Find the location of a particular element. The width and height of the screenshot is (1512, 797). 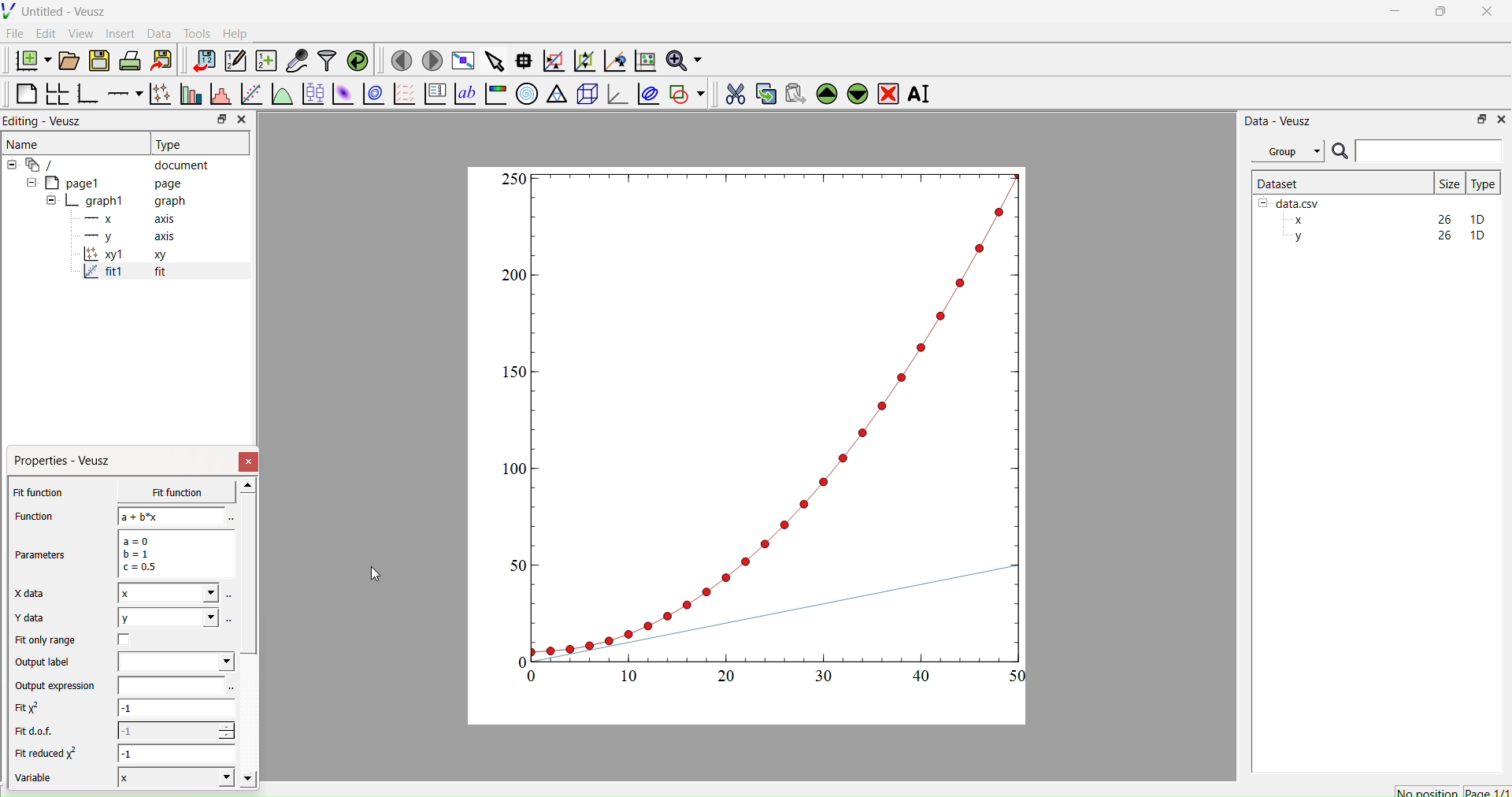

page1 page is located at coordinates (105, 182).